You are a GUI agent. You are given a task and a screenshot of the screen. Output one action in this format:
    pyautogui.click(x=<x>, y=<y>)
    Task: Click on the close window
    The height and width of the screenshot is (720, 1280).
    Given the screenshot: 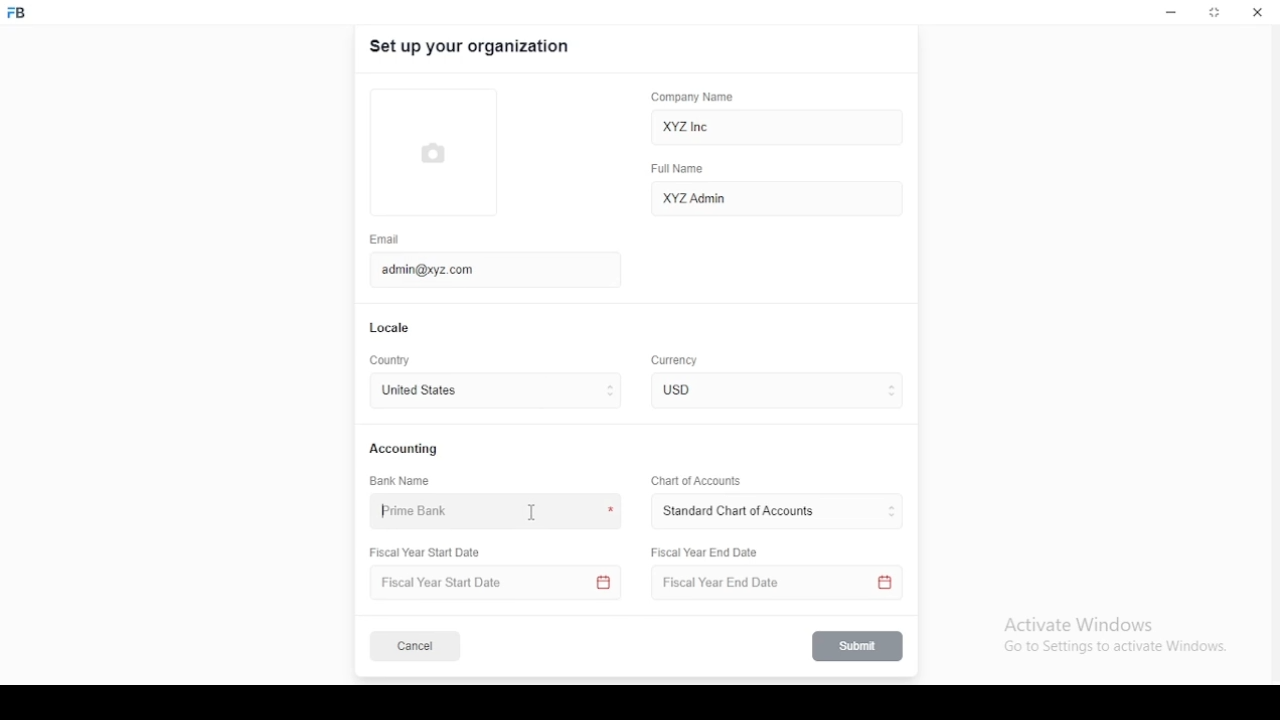 What is the action you would take?
    pyautogui.click(x=1255, y=12)
    